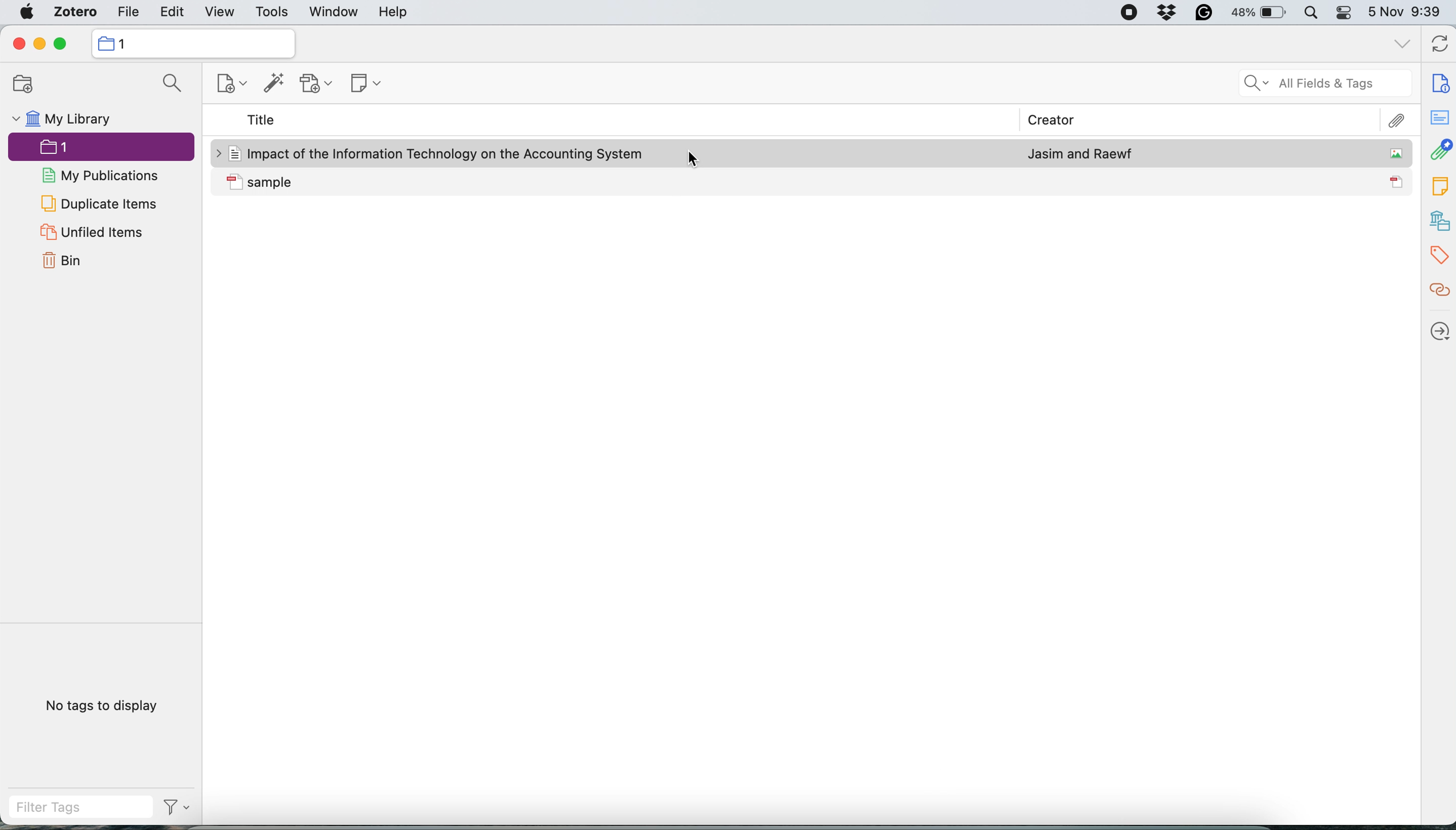  Describe the element at coordinates (74, 119) in the screenshot. I see `my library` at that location.